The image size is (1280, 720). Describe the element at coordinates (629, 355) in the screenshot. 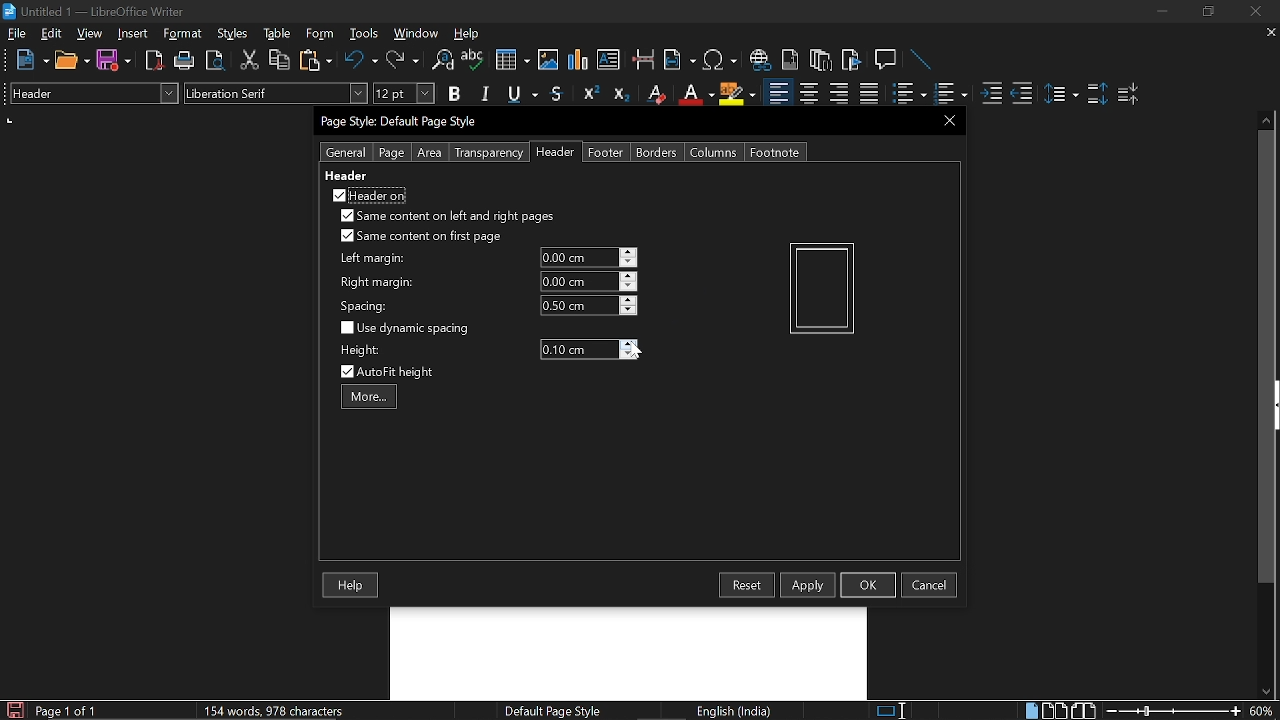

I see `Decrease height` at that location.